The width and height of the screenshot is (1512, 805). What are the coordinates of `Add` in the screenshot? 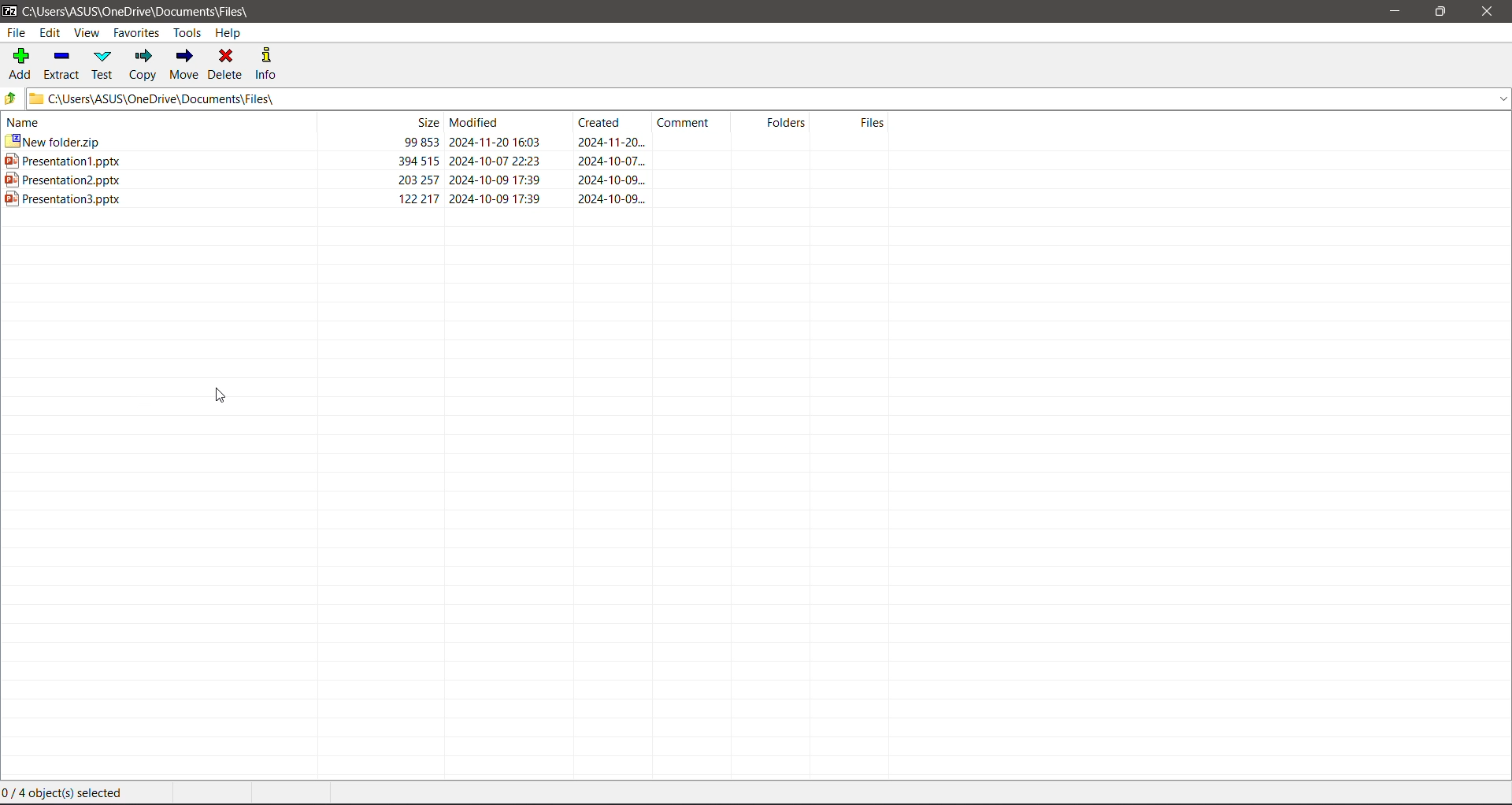 It's located at (21, 64).